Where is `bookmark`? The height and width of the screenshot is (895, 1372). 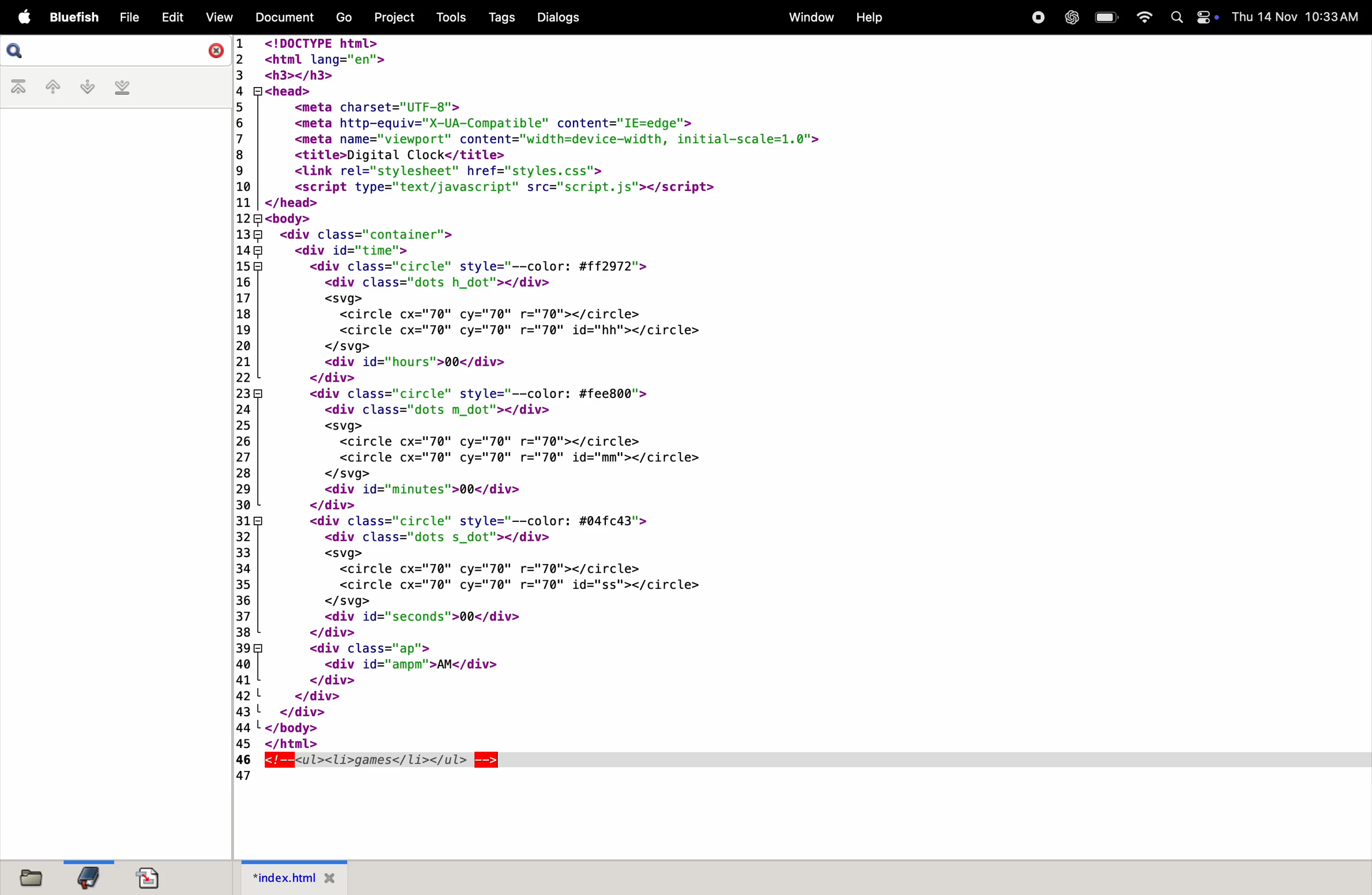 bookmark is located at coordinates (89, 878).